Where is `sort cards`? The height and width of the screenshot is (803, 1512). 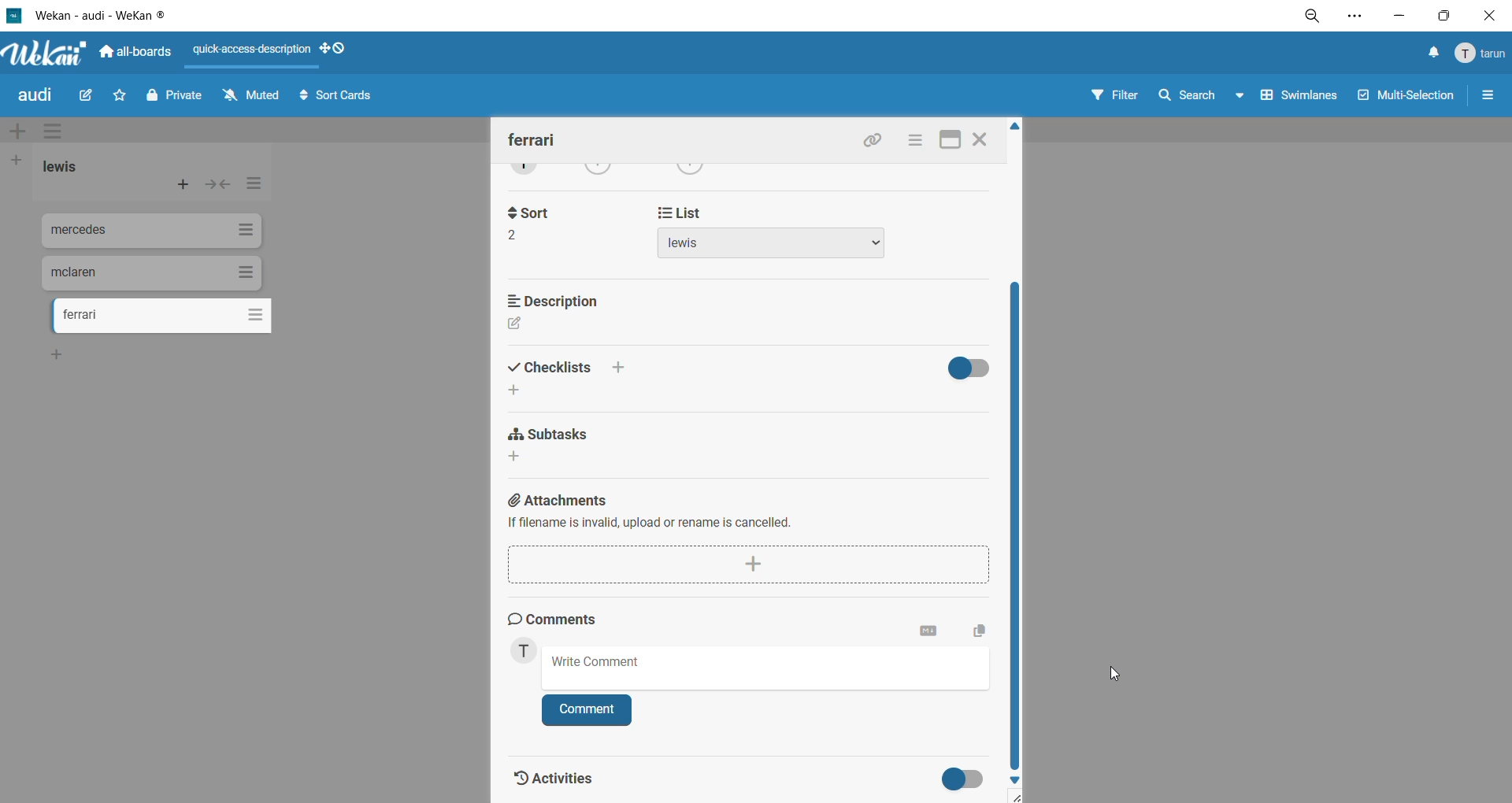
sort cards is located at coordinates (343, 98).